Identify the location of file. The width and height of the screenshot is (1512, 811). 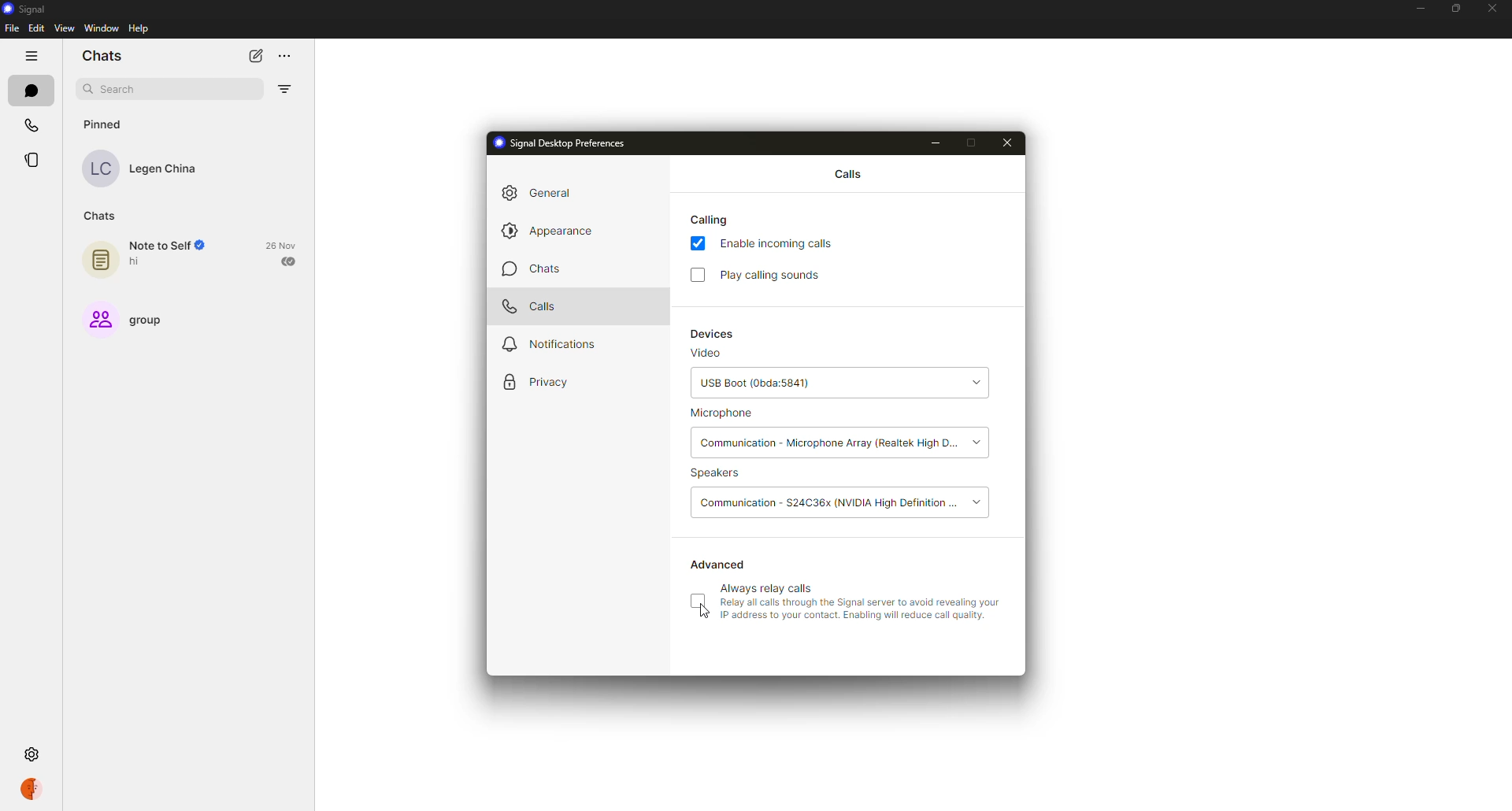
(11, 28).